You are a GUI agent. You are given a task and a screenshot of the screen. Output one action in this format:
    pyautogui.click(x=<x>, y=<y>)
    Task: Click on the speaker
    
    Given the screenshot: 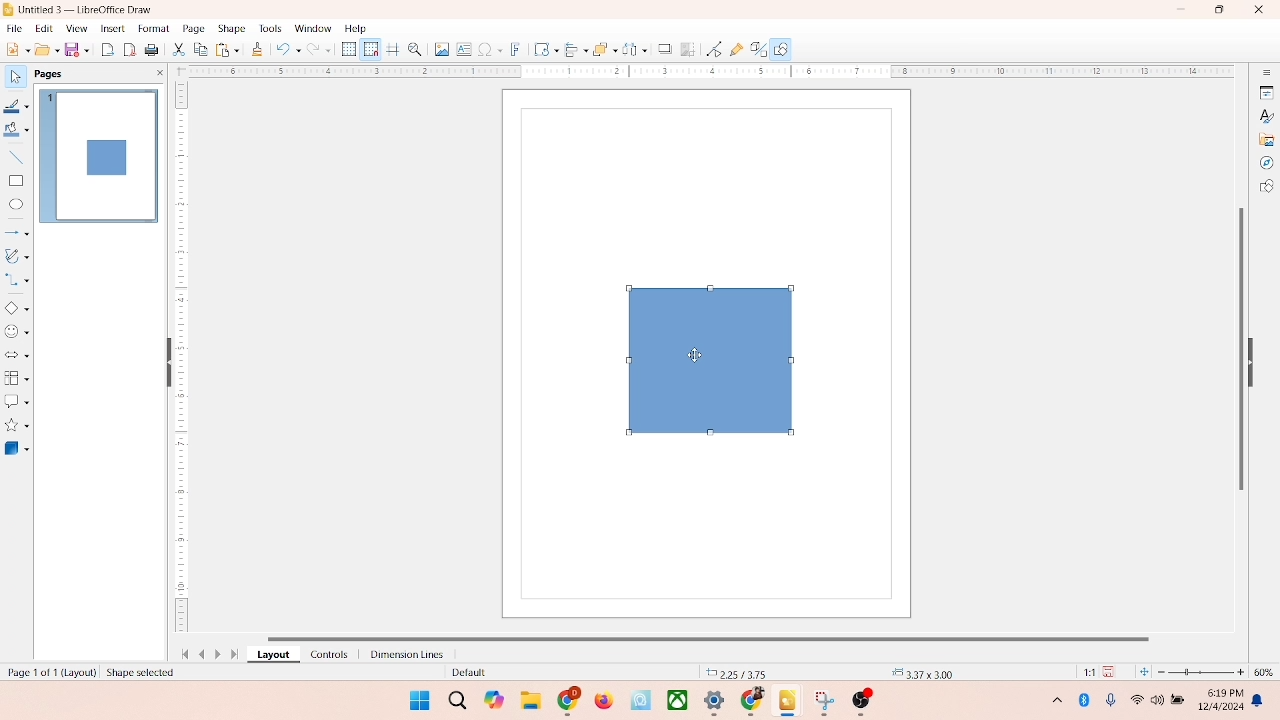 What is the action you would take?
    pyautogui.click(x=1160, y=700)
    